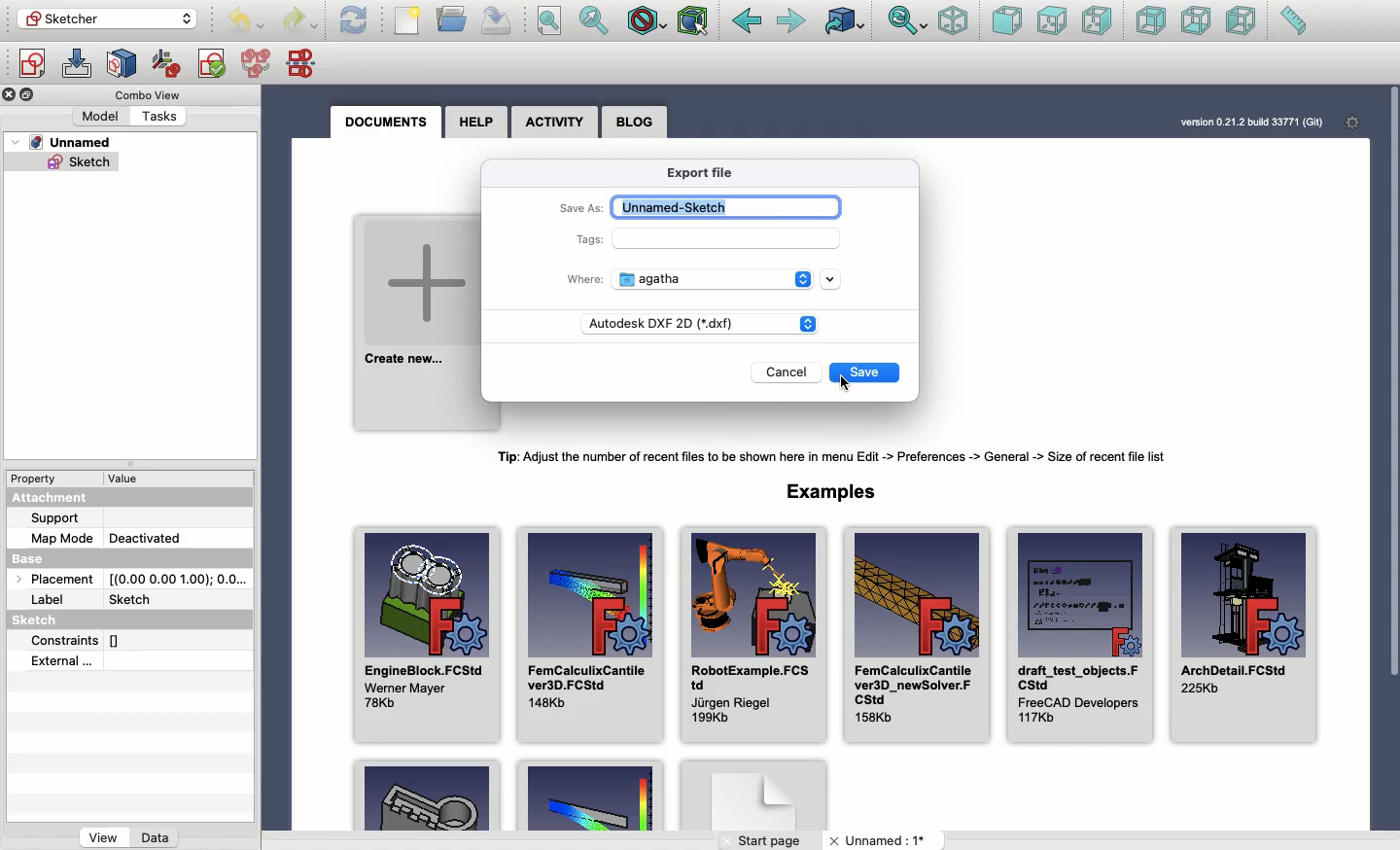 The image size is (1400, 850). Describe the element at coordinates (101, 600) in the screenshot. I see `Label Sketch` at that location.